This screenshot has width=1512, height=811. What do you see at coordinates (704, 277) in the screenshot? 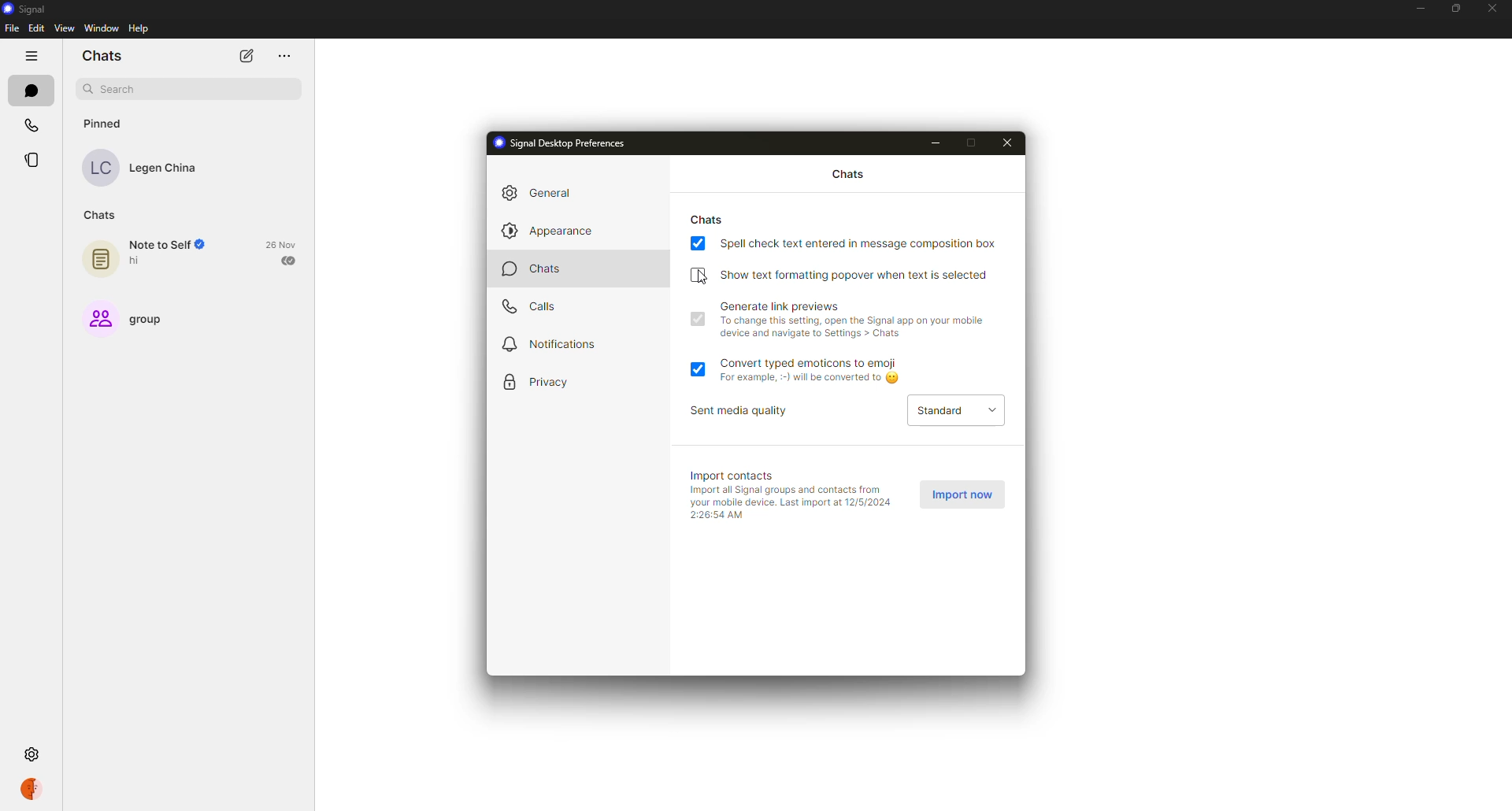
I see `cursor` at bounding box center [704, 277].